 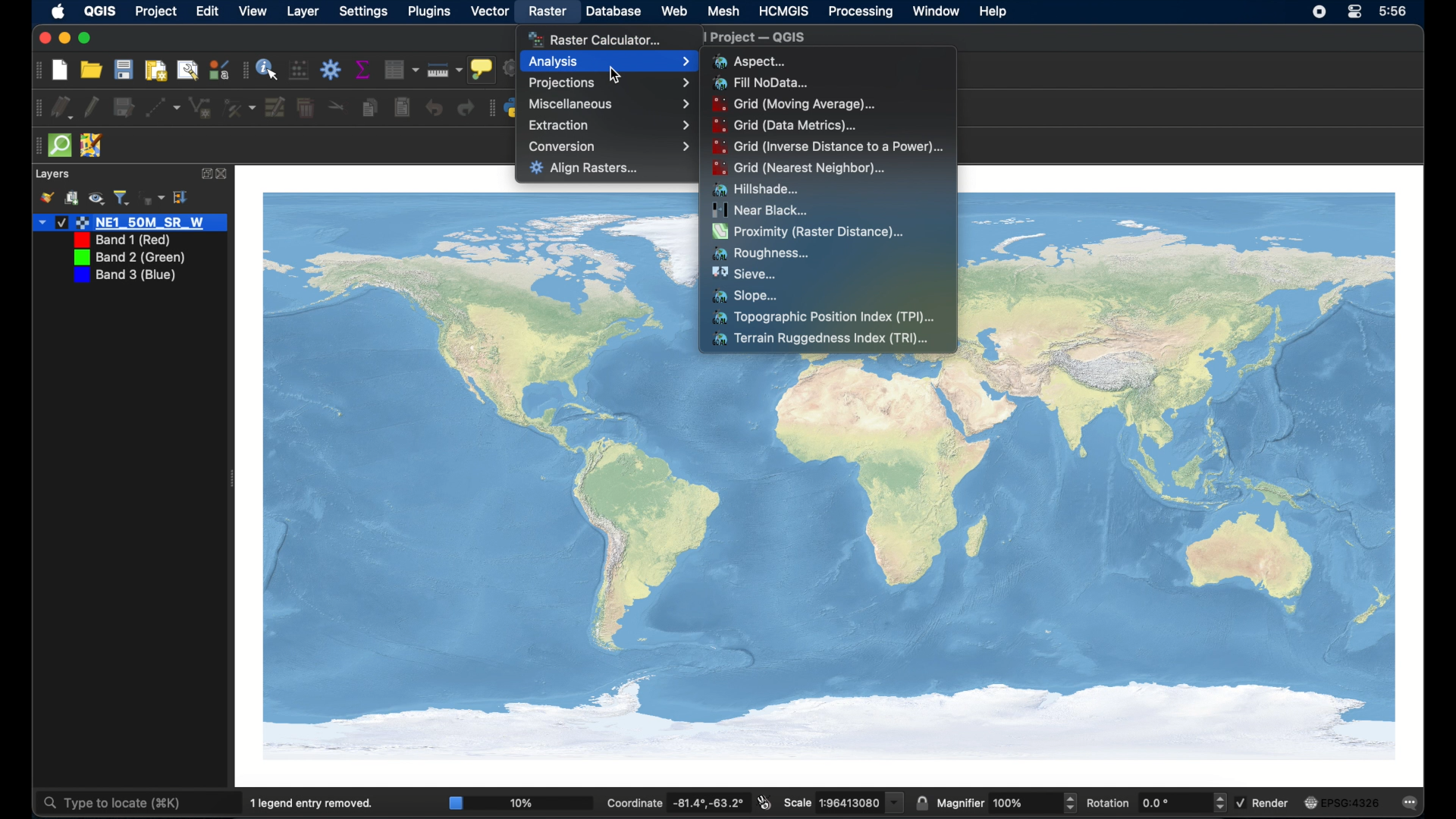 What do you see at coordinates (63, 107) in the screenshot?
I see `current edits` at bounding box center [63, 107].